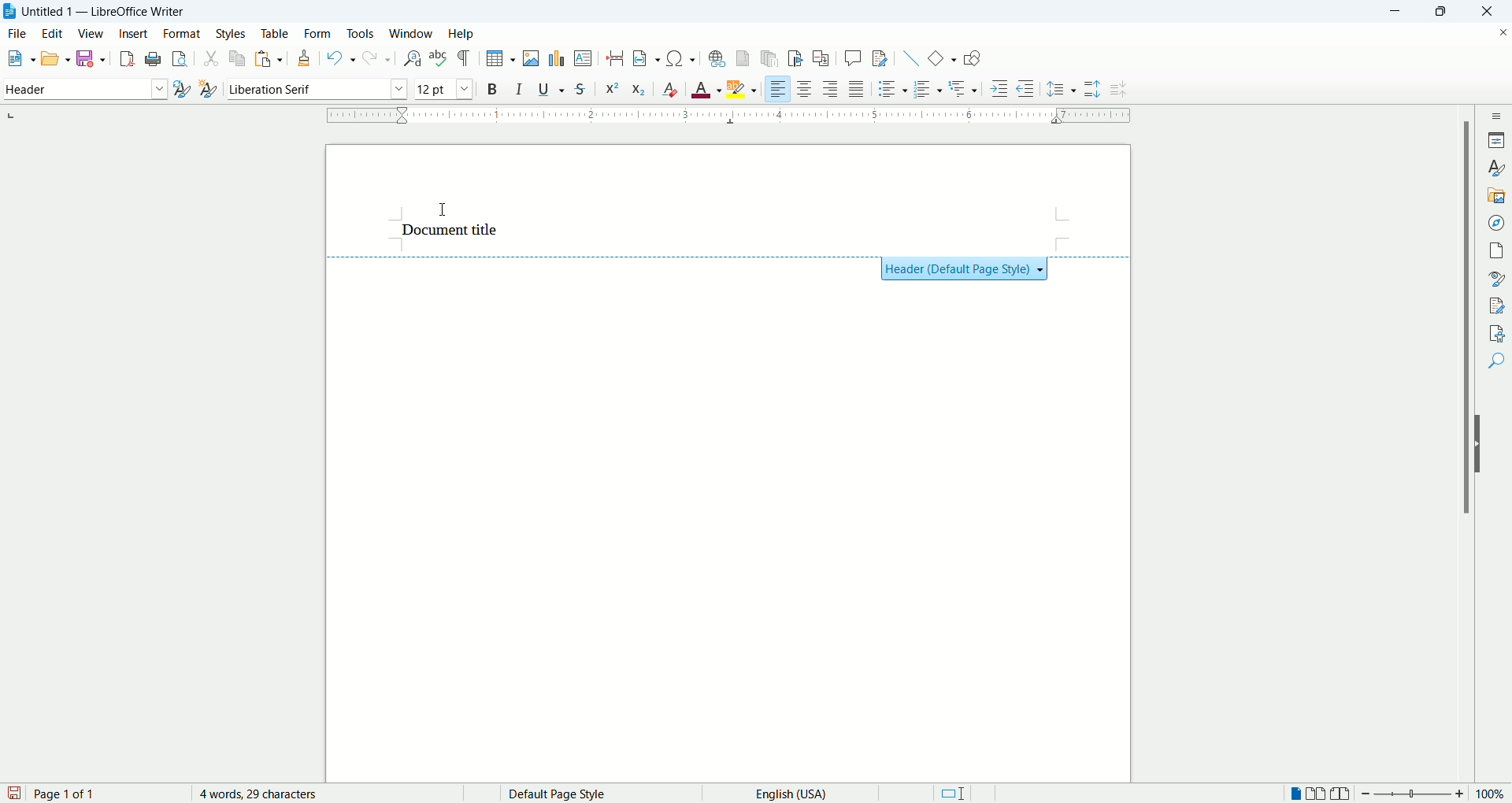 Image resolution: width=1512 pixels, height=803 pixels. I want to click on accessibility check, so click(1496, 334).